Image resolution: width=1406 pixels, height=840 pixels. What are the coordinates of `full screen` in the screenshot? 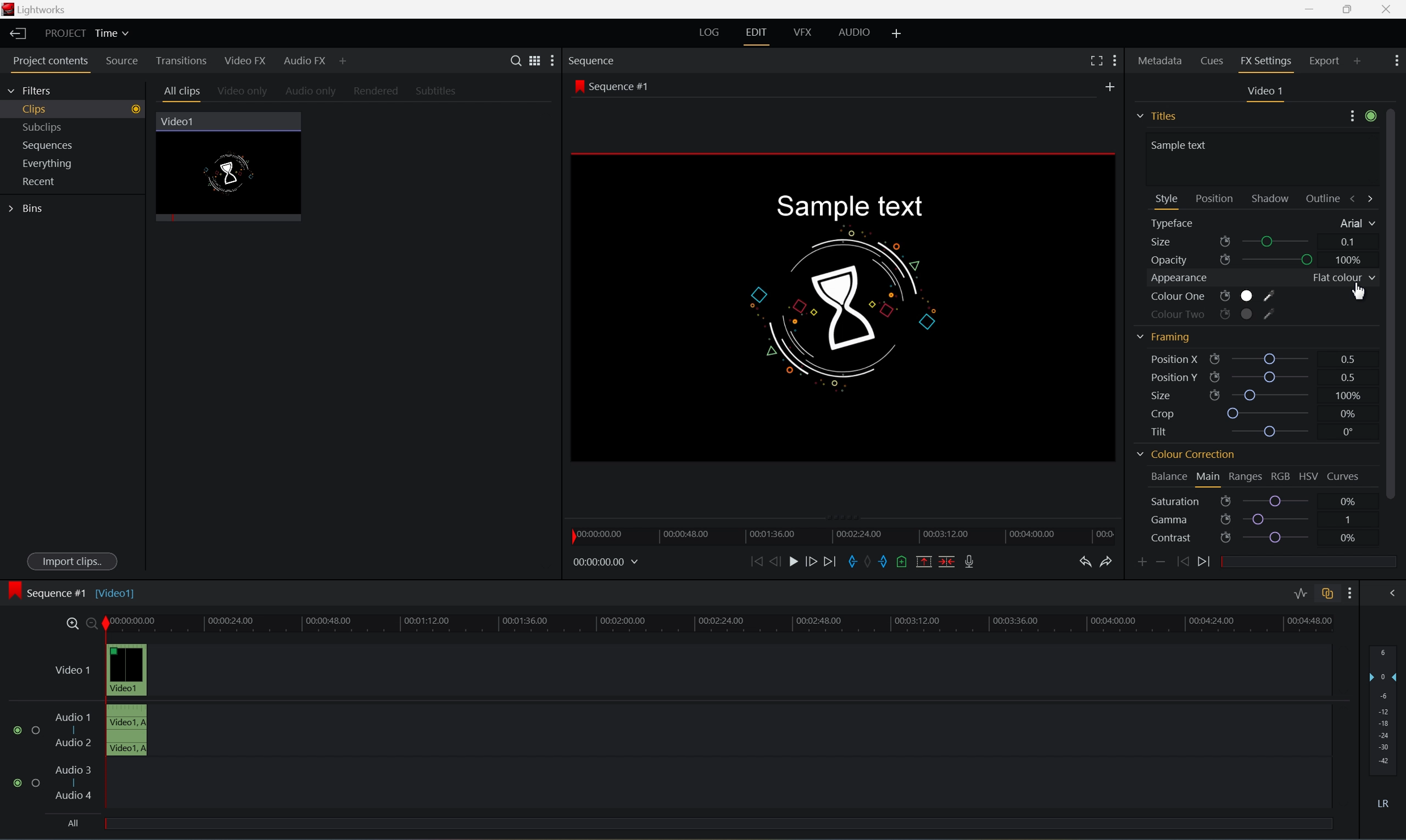 It's located at (1096, 61).